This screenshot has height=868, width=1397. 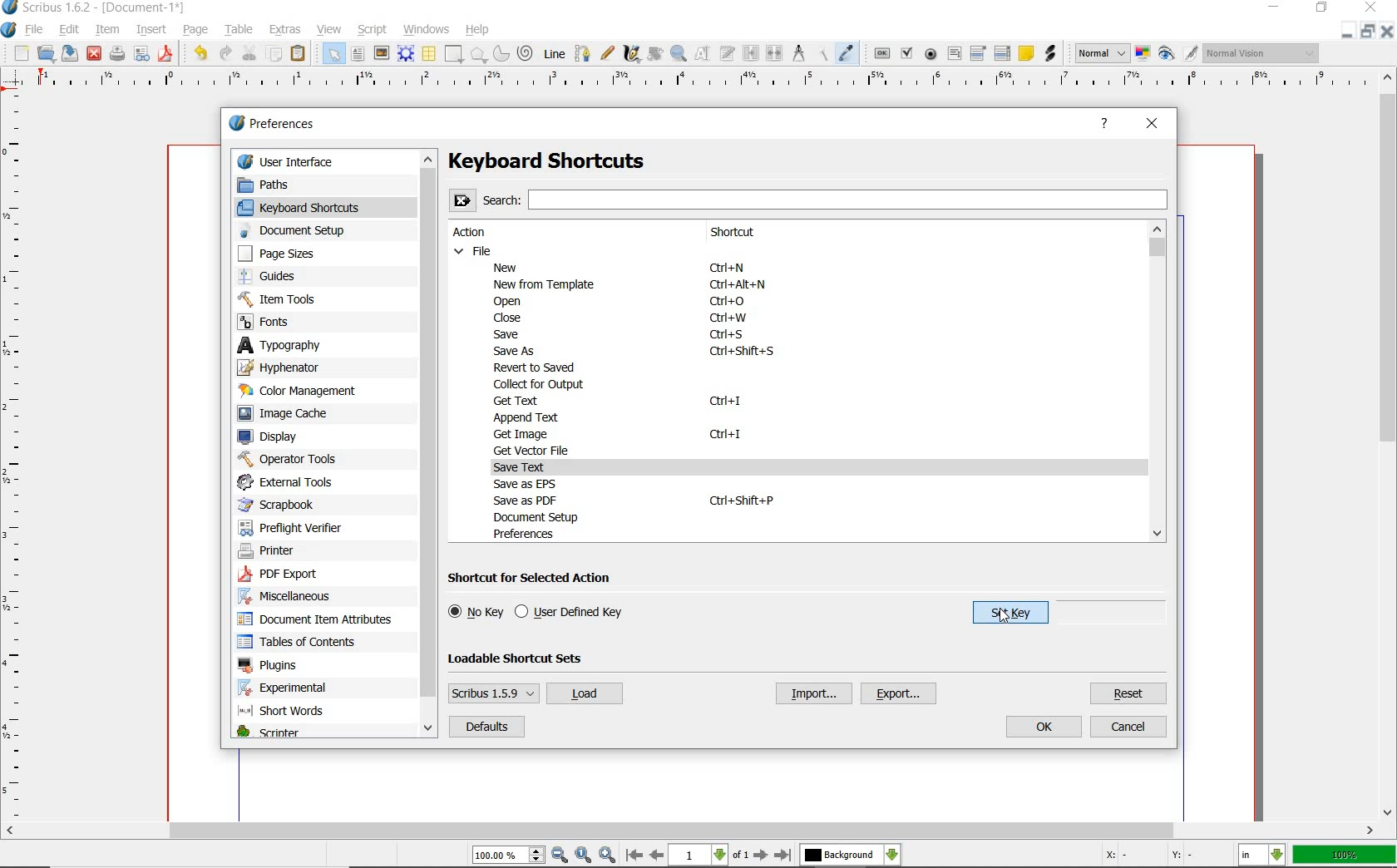 What do you see at coordinates (312, 207) in the screenshot?
I see `keyboard shortcuts` at bounding box center [312, 207].